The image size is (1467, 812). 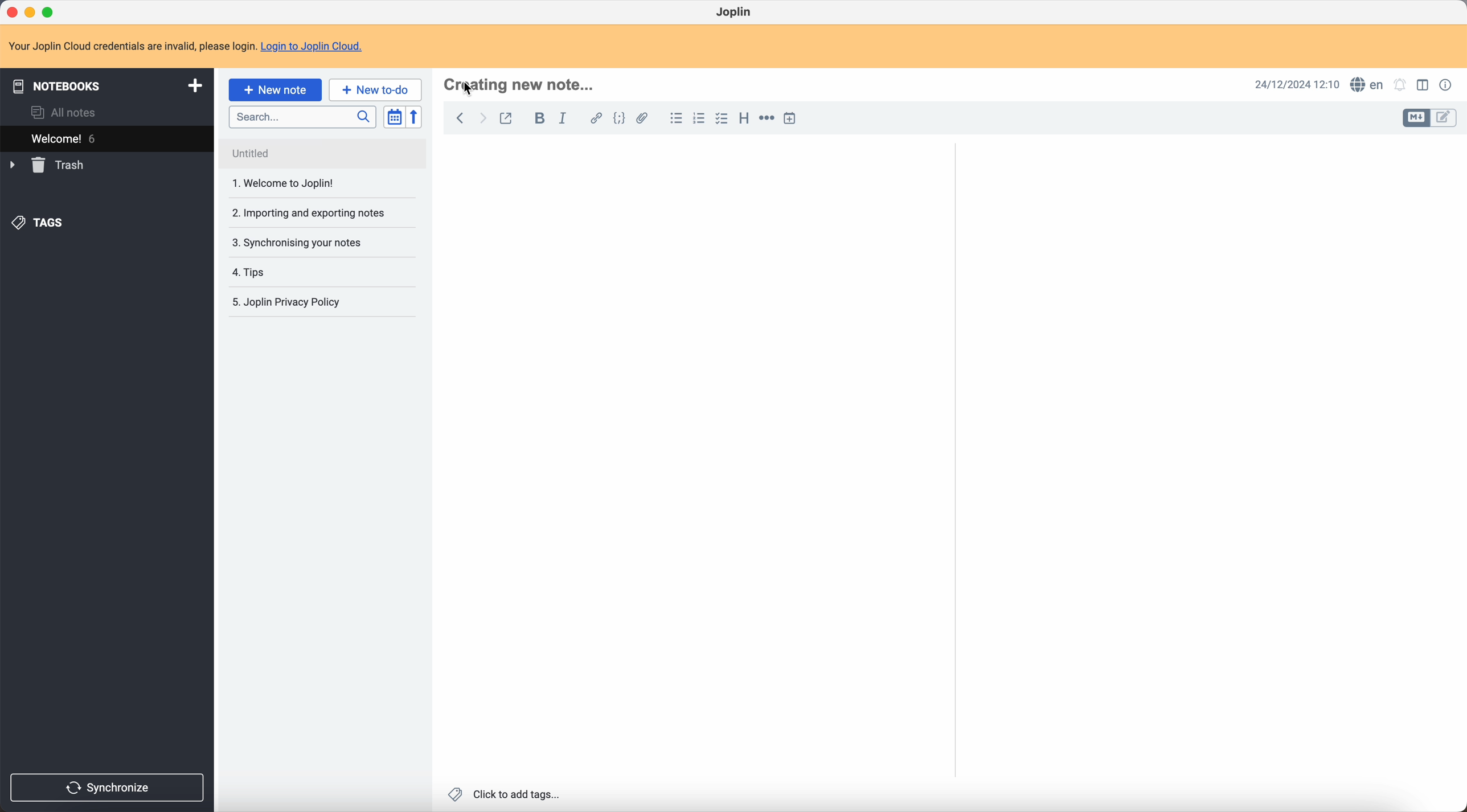 I want to click on tags, so click(x=40, y=224).